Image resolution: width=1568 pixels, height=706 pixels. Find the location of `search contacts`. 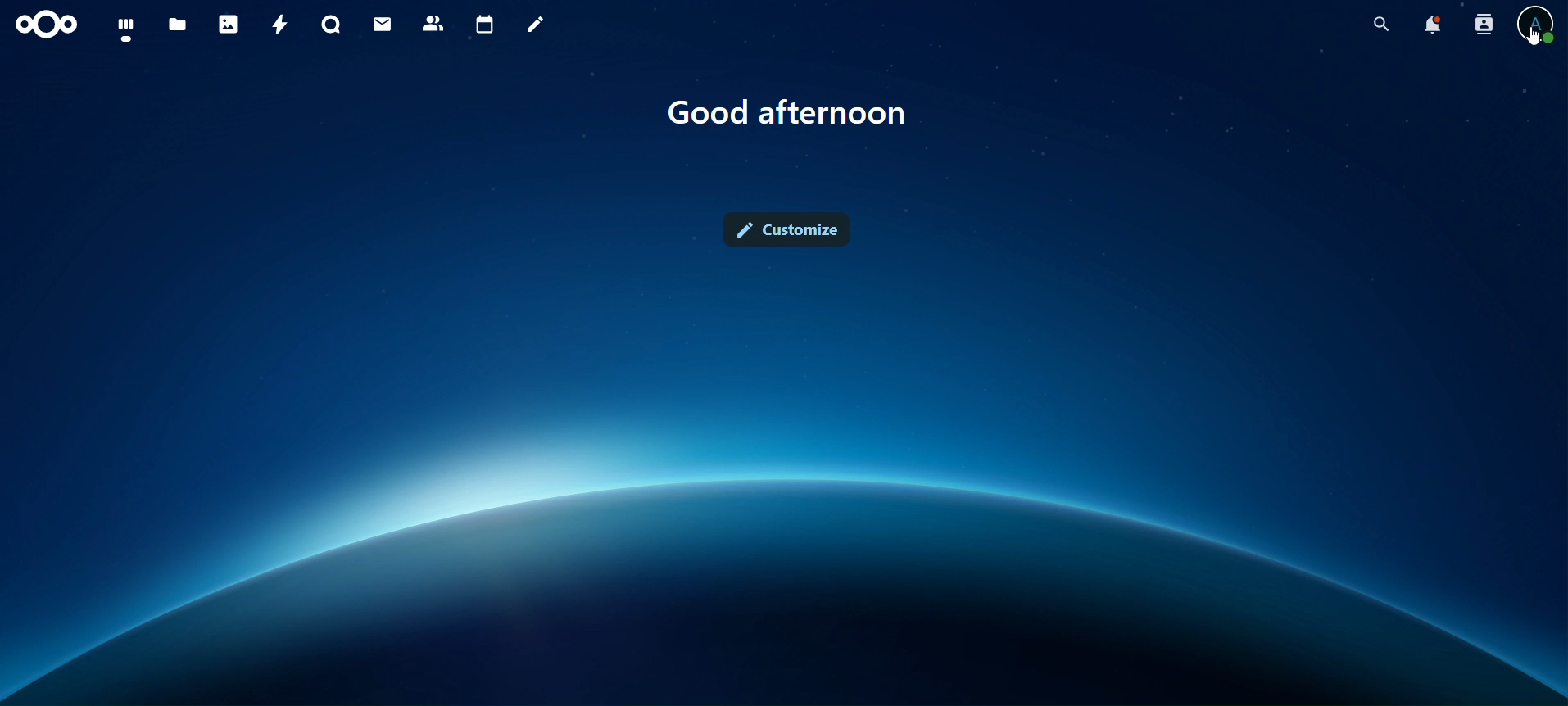

search contacts is located at coordinates (1480, 25).